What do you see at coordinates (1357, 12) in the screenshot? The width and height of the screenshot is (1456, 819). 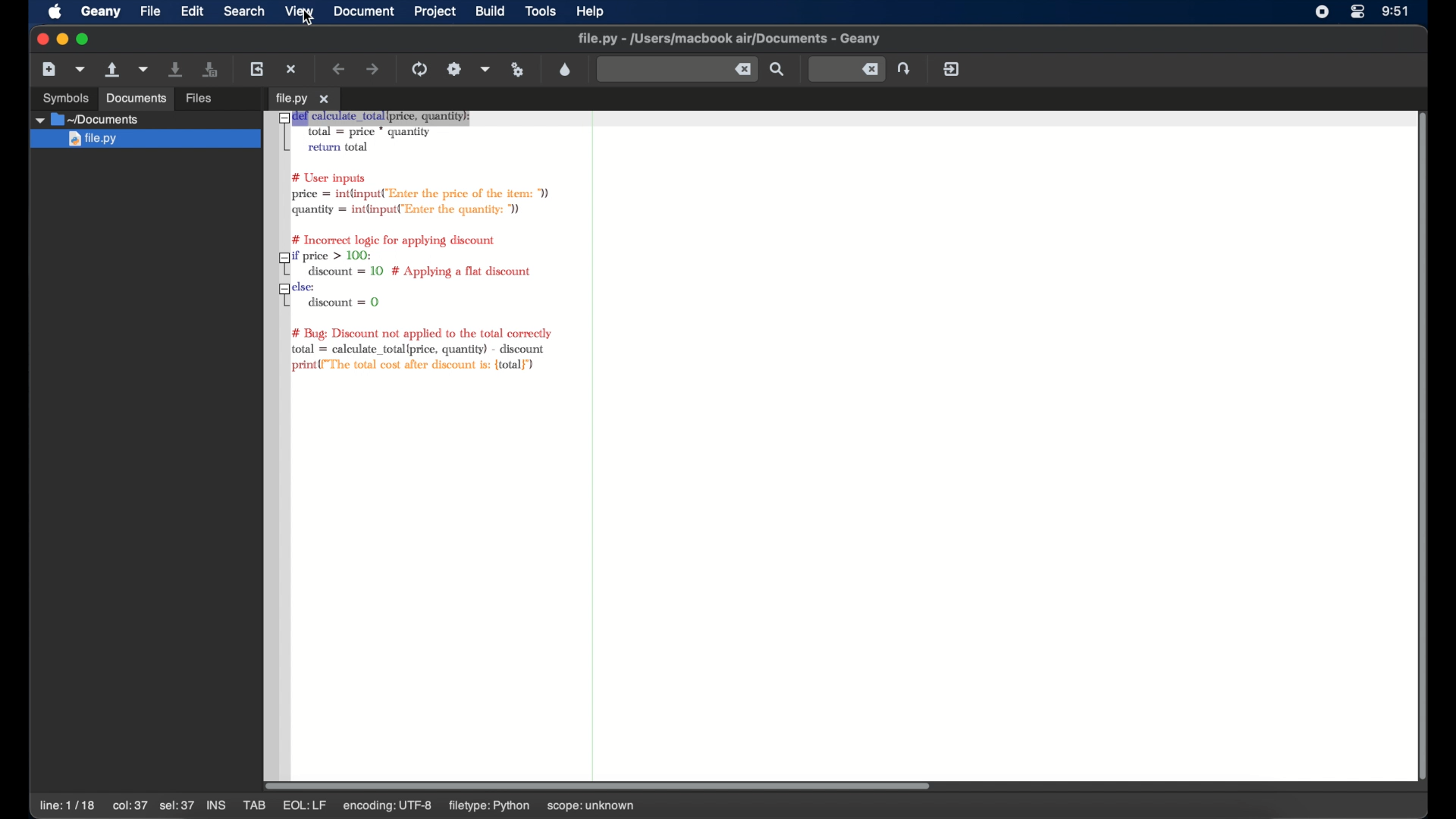 I see `control center` at bounding box center [1357, 12].